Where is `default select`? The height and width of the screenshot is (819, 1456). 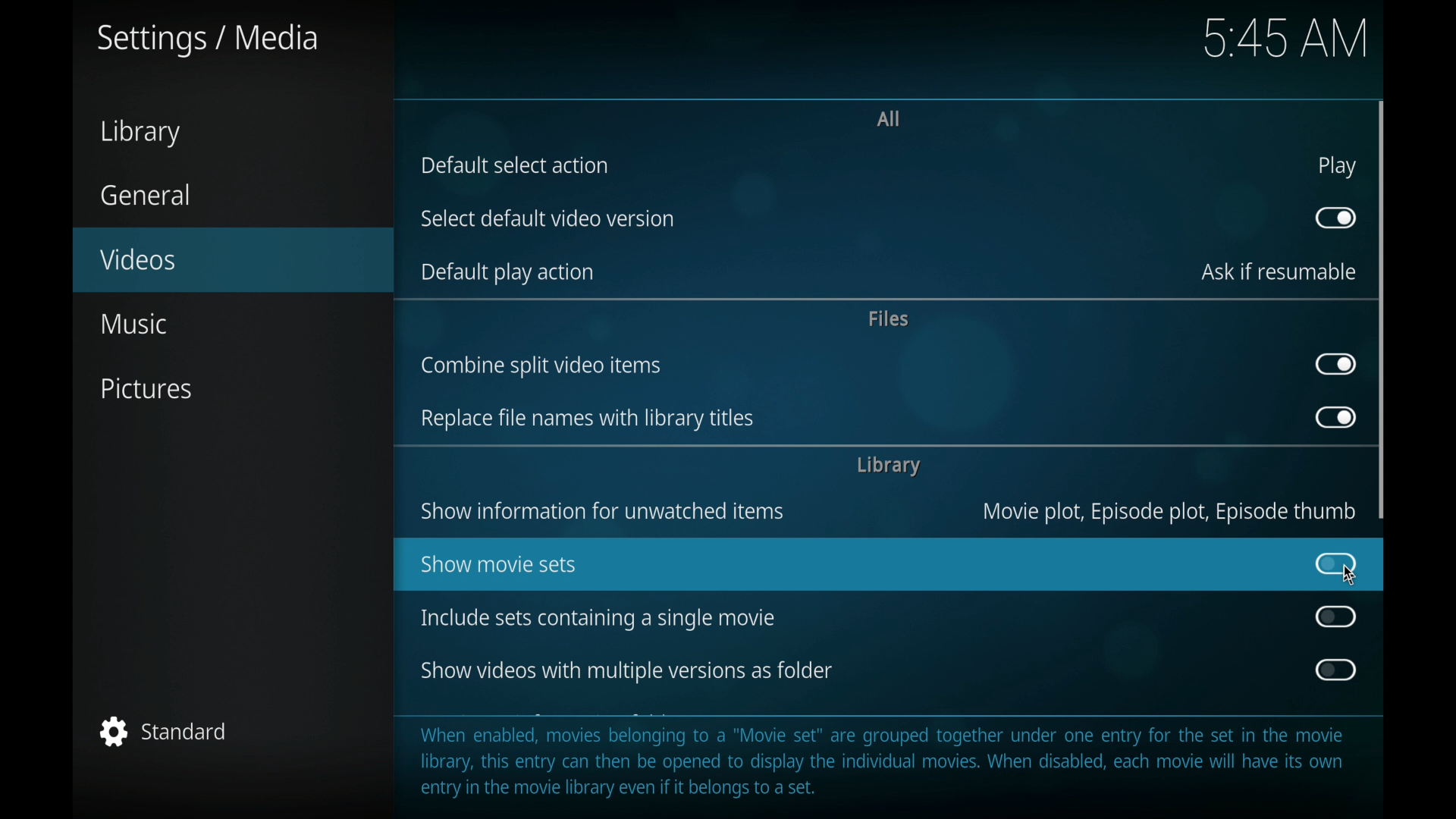
default select is located at coordinates (514, 165).